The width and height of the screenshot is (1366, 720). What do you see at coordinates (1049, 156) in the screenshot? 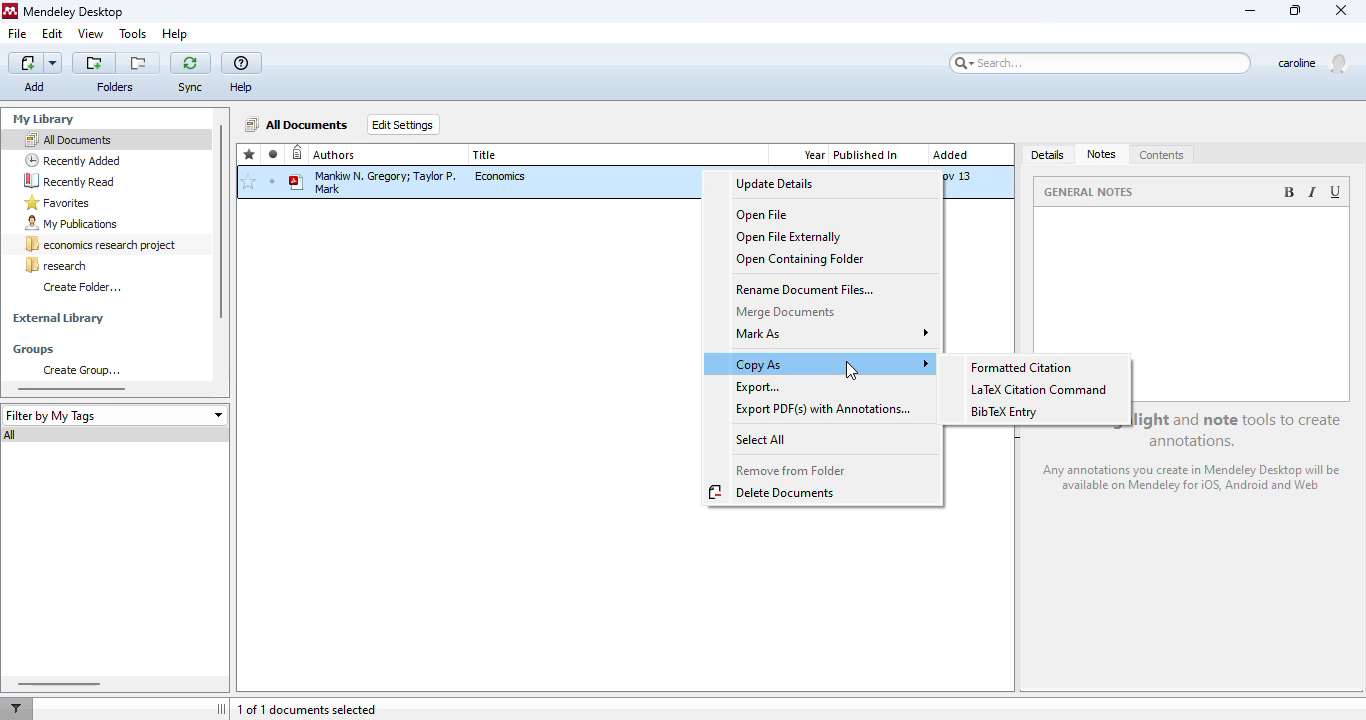
I see `details` at bounding box center [1049, 156].